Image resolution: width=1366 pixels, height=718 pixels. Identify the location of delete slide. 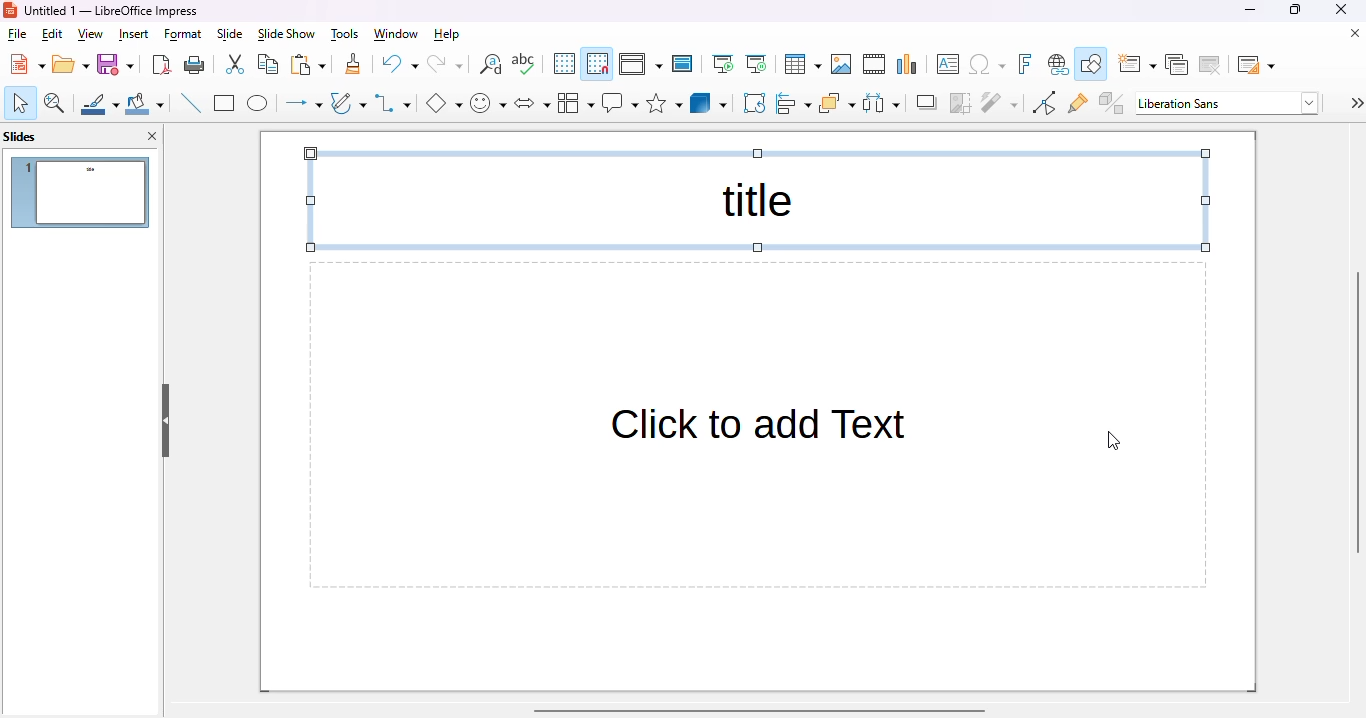
(1210, 65).